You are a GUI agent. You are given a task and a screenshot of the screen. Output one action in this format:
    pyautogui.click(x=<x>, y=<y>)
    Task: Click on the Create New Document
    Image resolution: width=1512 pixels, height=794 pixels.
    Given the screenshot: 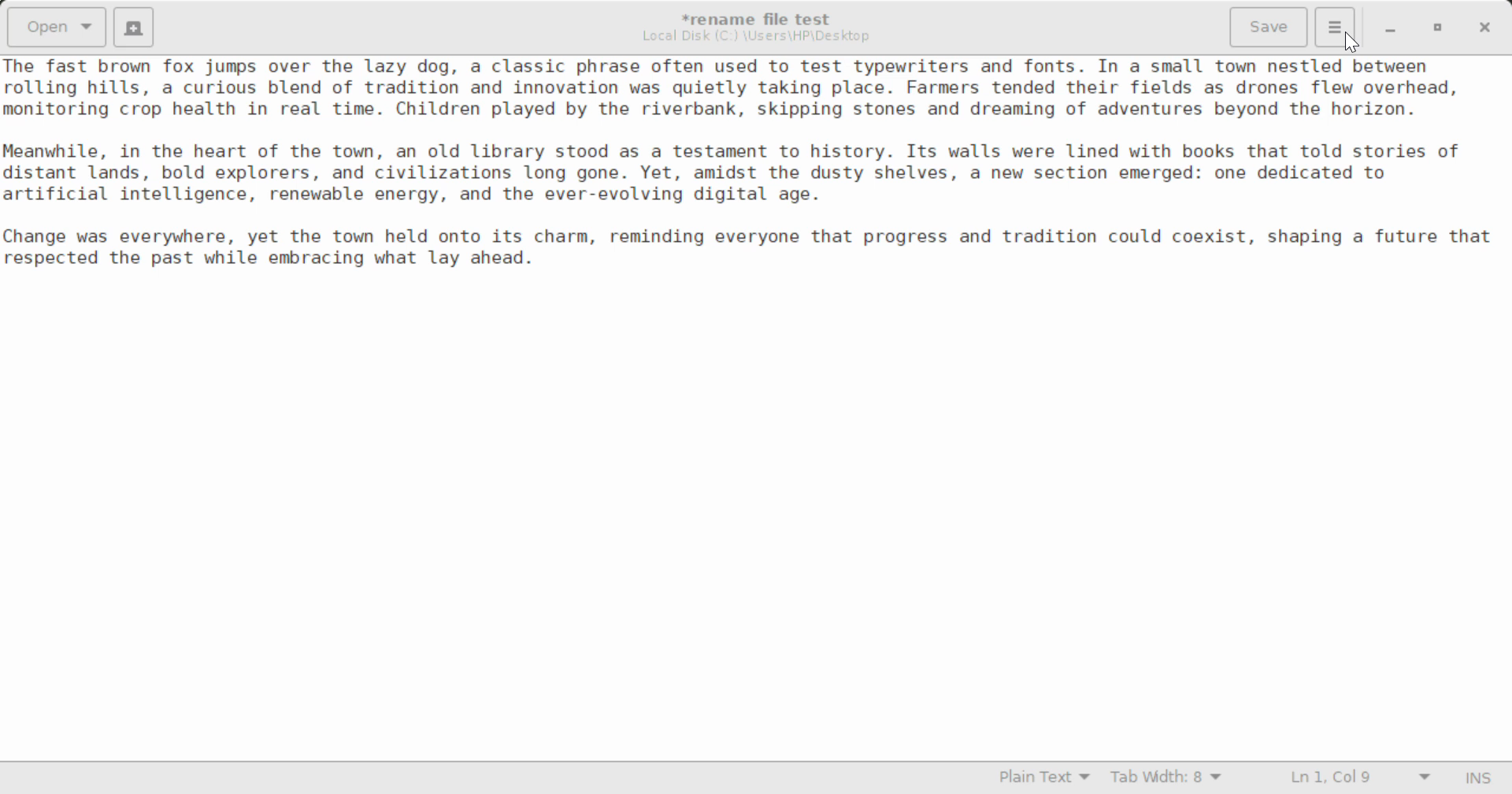 What is the action you would take?
    pyautogui.click(x=136, y=27)
    